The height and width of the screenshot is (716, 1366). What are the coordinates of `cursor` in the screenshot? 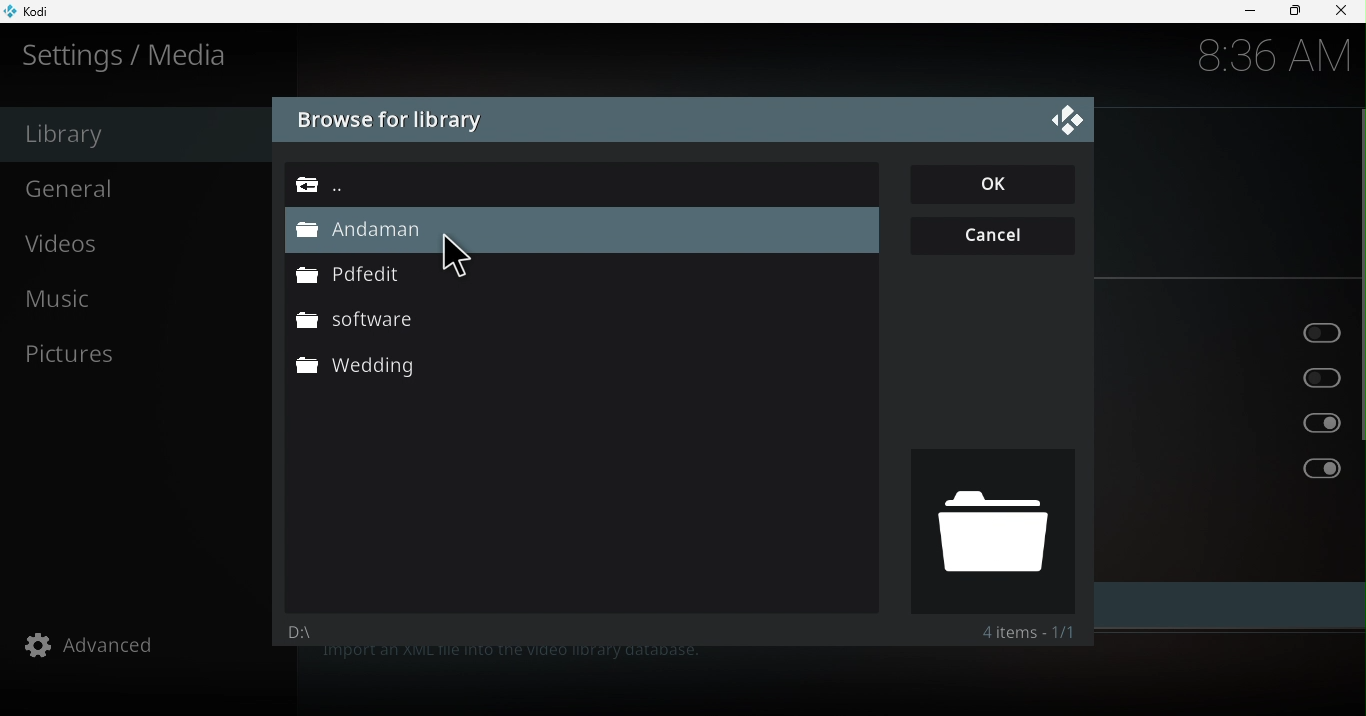 It's located at (463, 262).